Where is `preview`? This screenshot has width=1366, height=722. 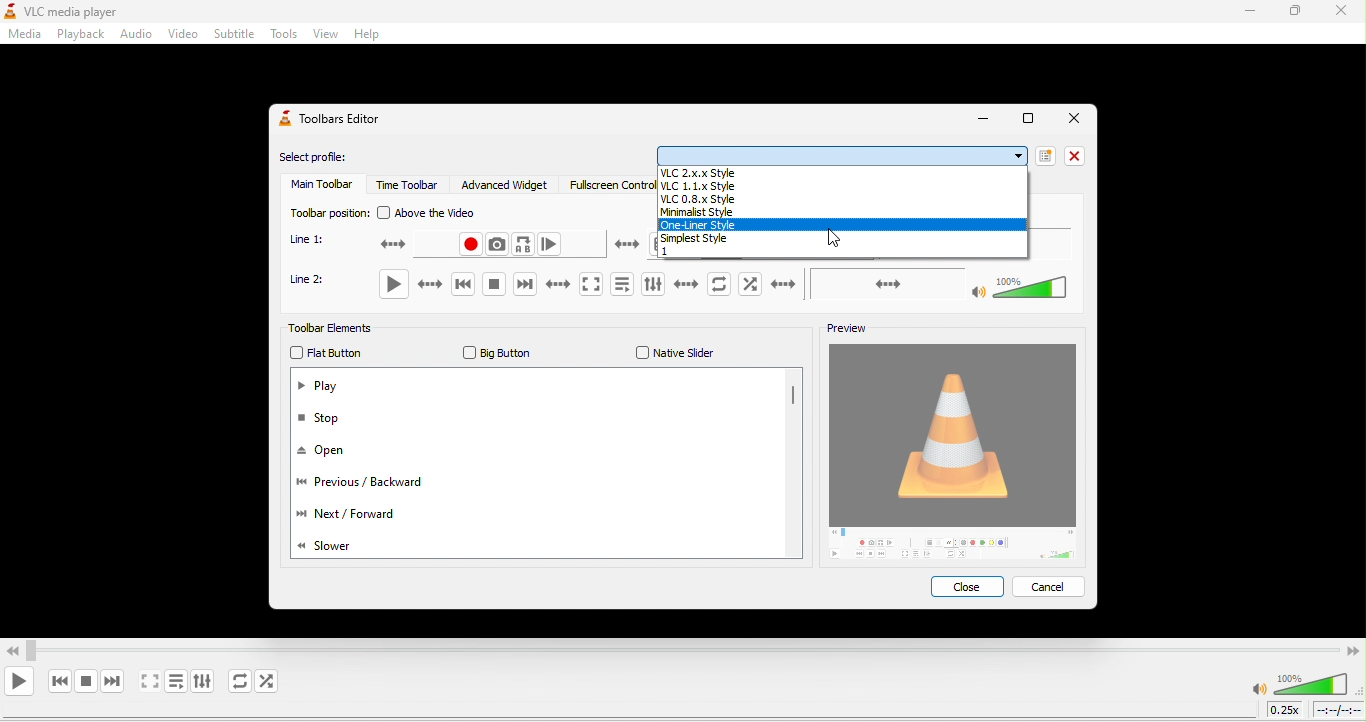 preview is located at coordinates (849, 324).